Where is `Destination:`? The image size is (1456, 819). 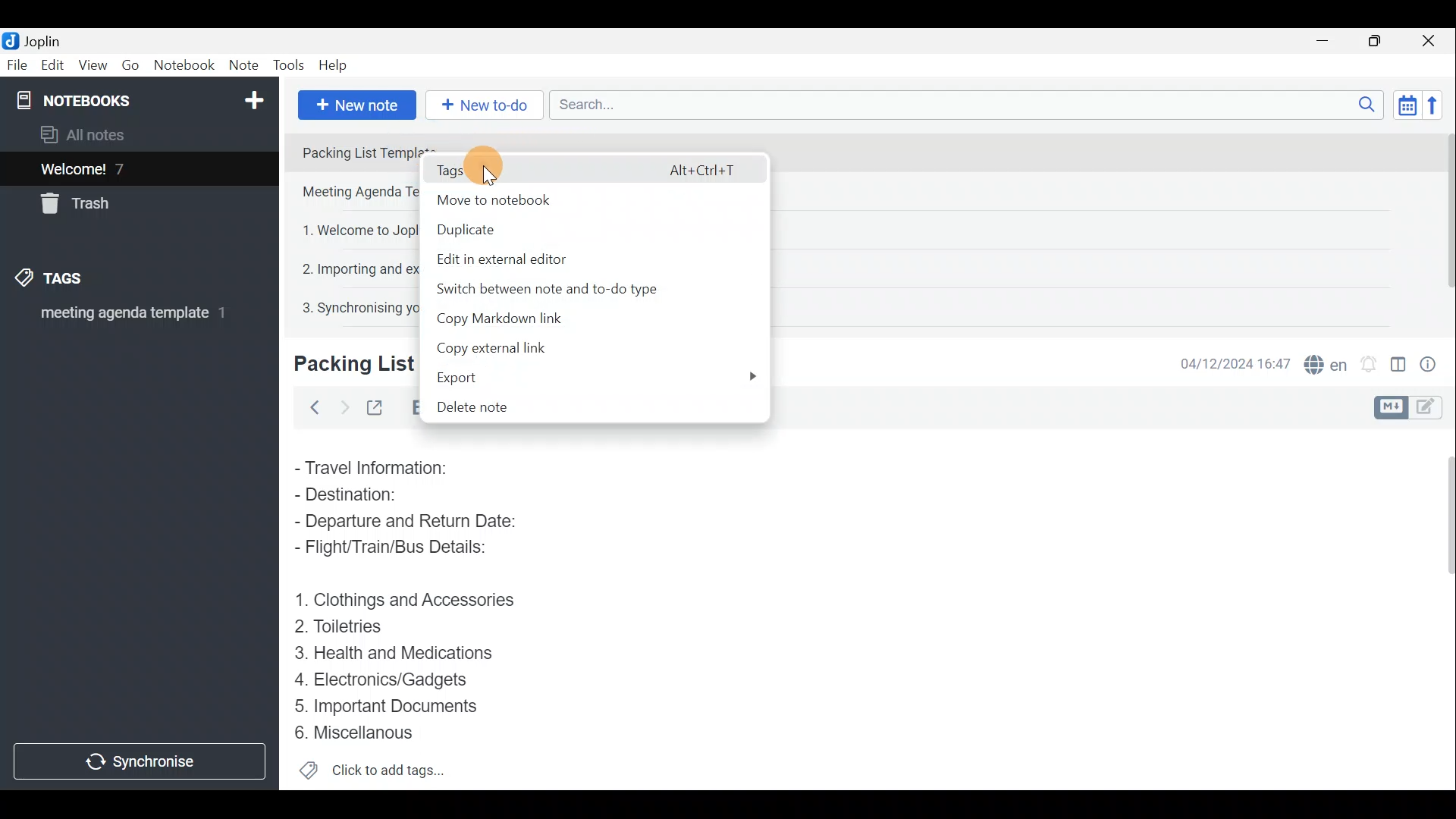
Destination: is located at coordinates (378, 494).